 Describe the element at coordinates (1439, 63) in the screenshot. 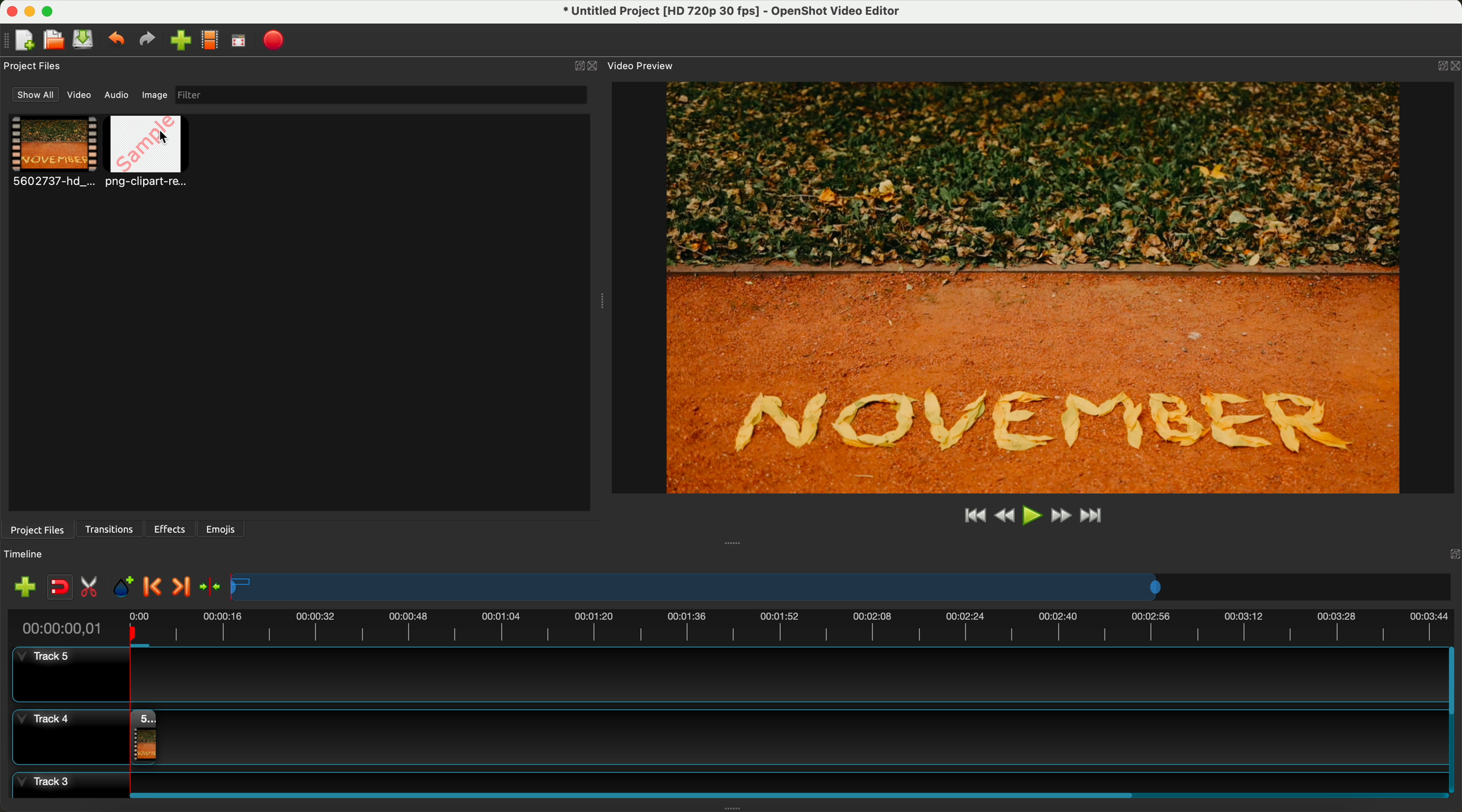

I see `BUTTON` at that location.